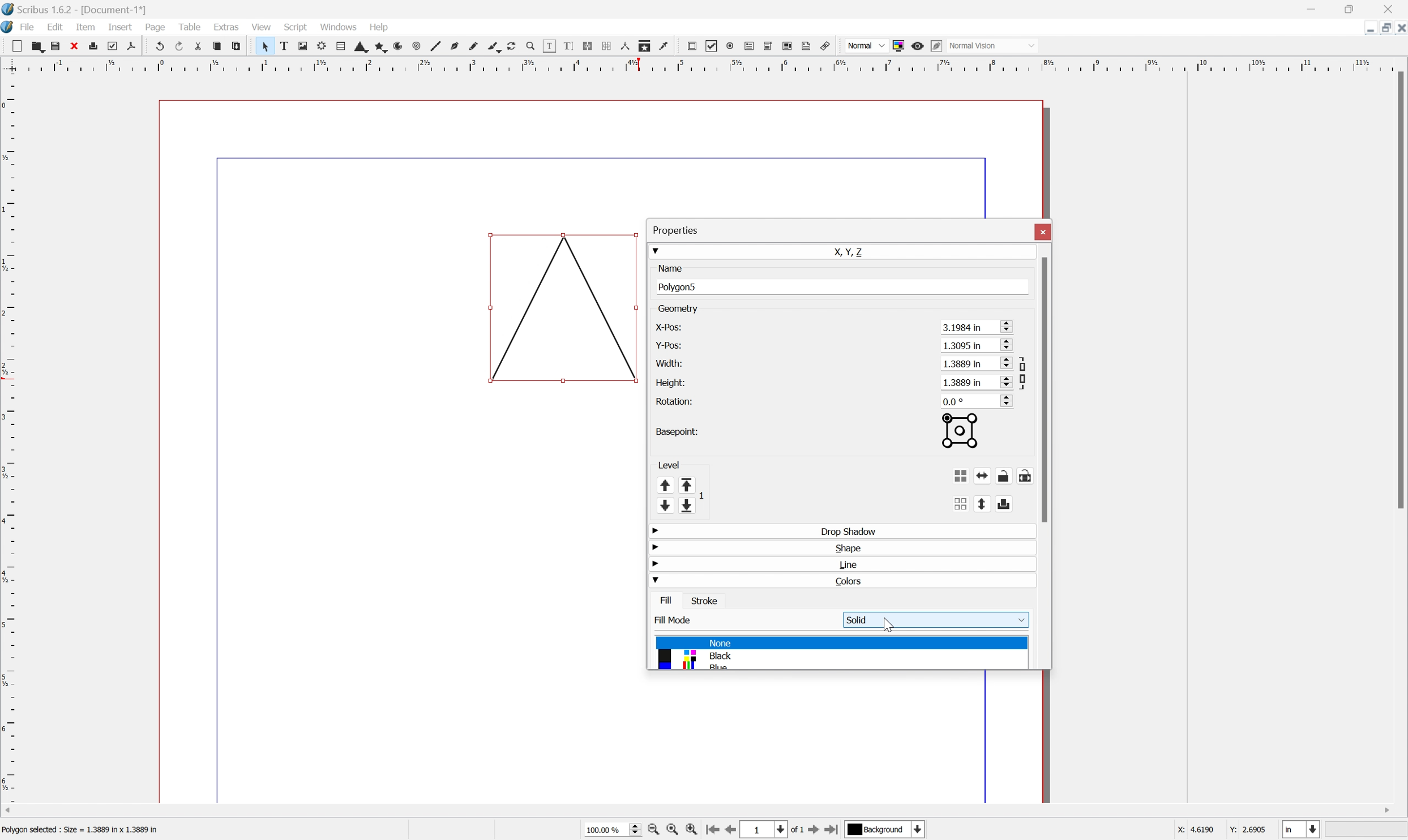 The width and height of the screenshot is (1408, 840). What do you see at coordinates (35, 45) in the screenshot?
I see `Open` at bounding box center [35, 45].